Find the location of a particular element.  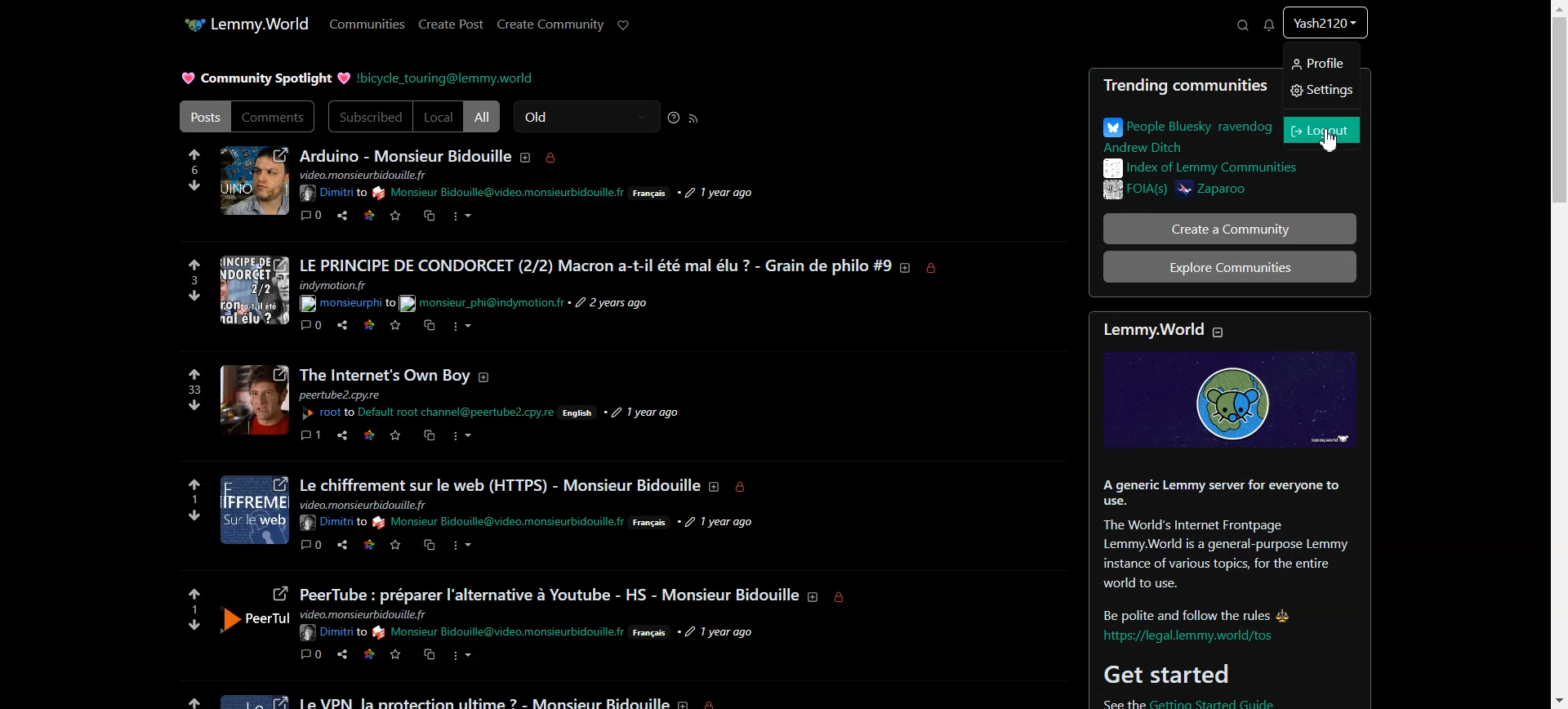

more is located at coordinates (462, 658).